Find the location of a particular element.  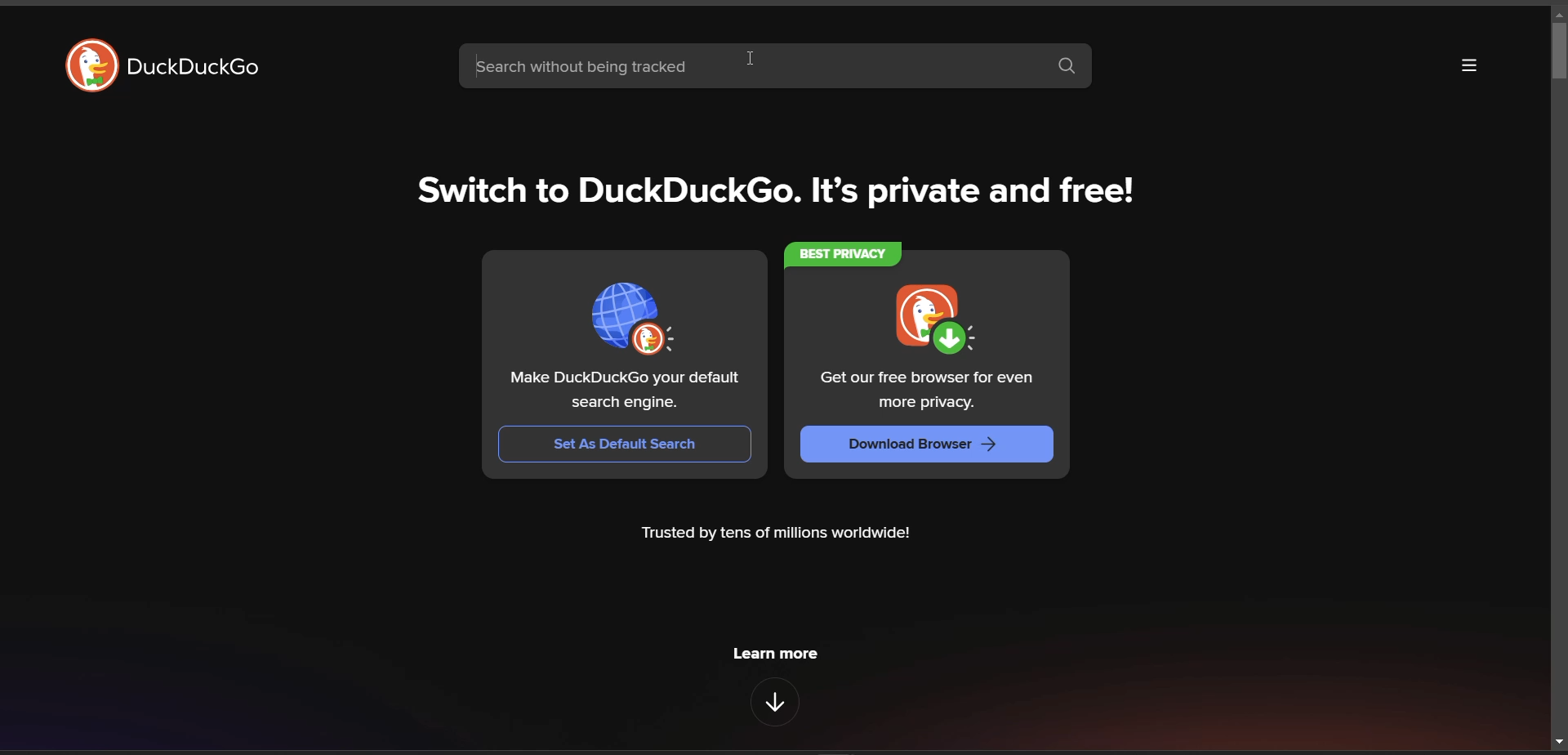

features is located at coordinates (777, 704).